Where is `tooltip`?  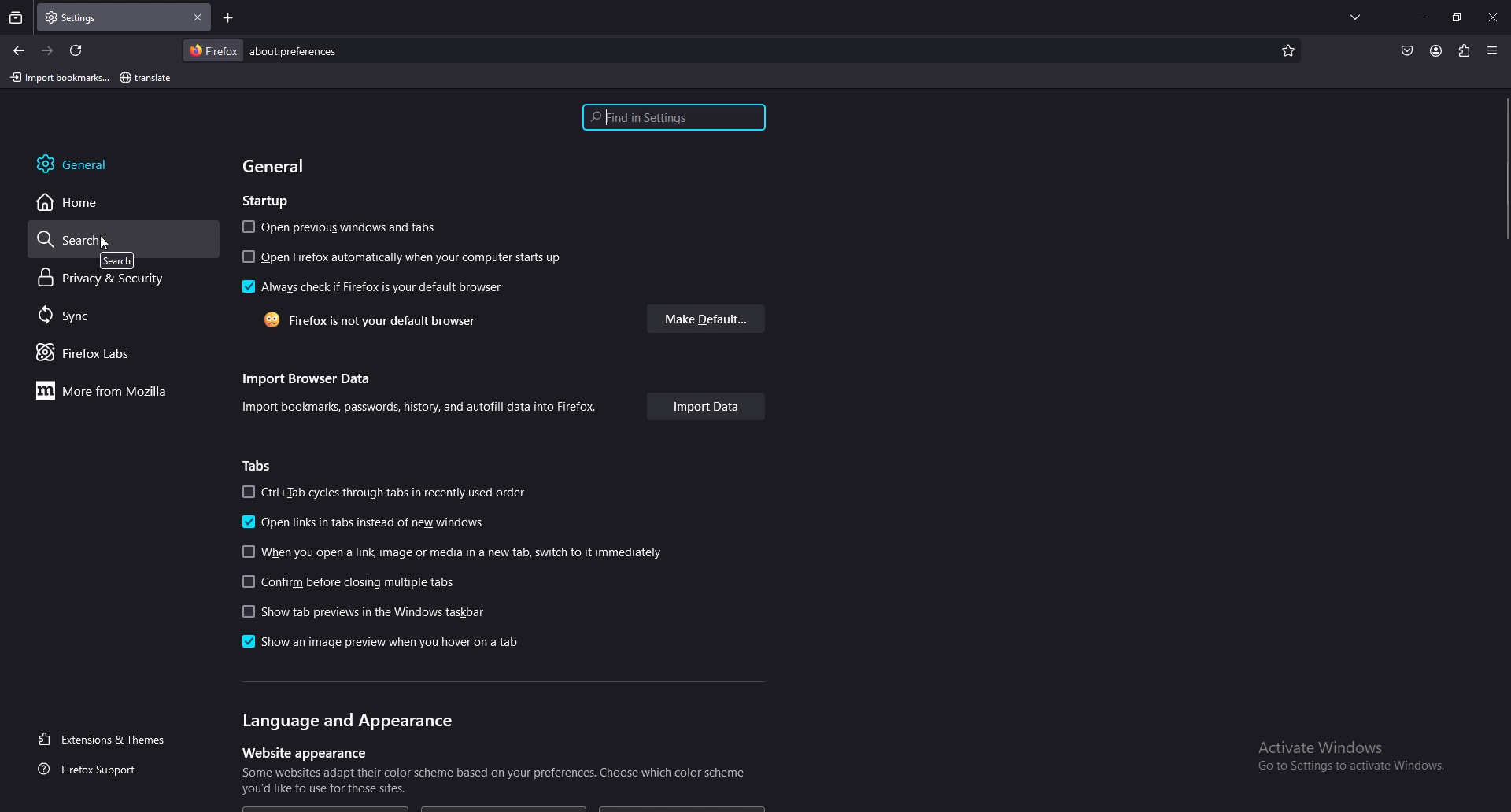 tooltip is located at coordinates (116, 260).